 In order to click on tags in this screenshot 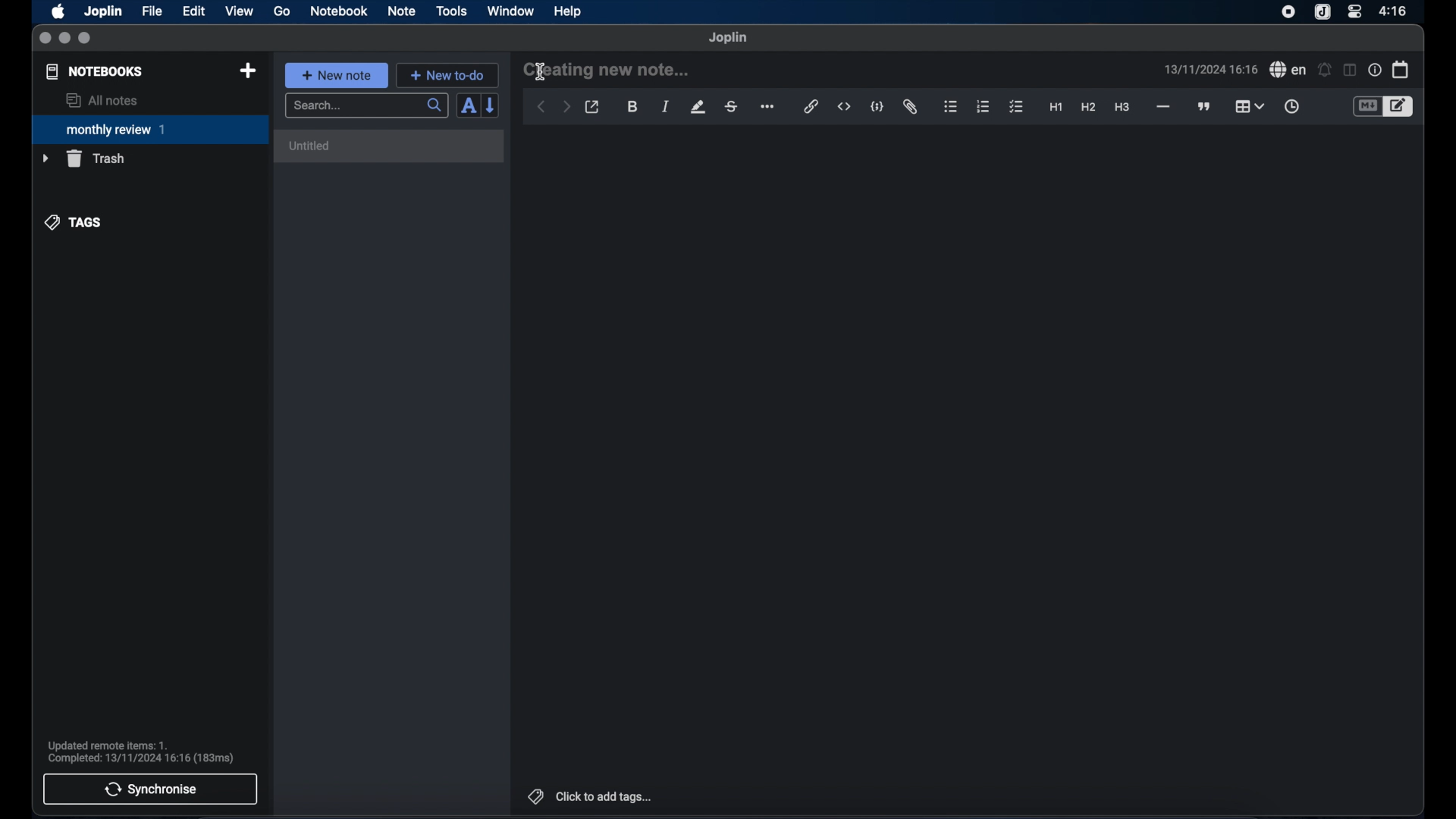, I will do `click(74, 222)`.